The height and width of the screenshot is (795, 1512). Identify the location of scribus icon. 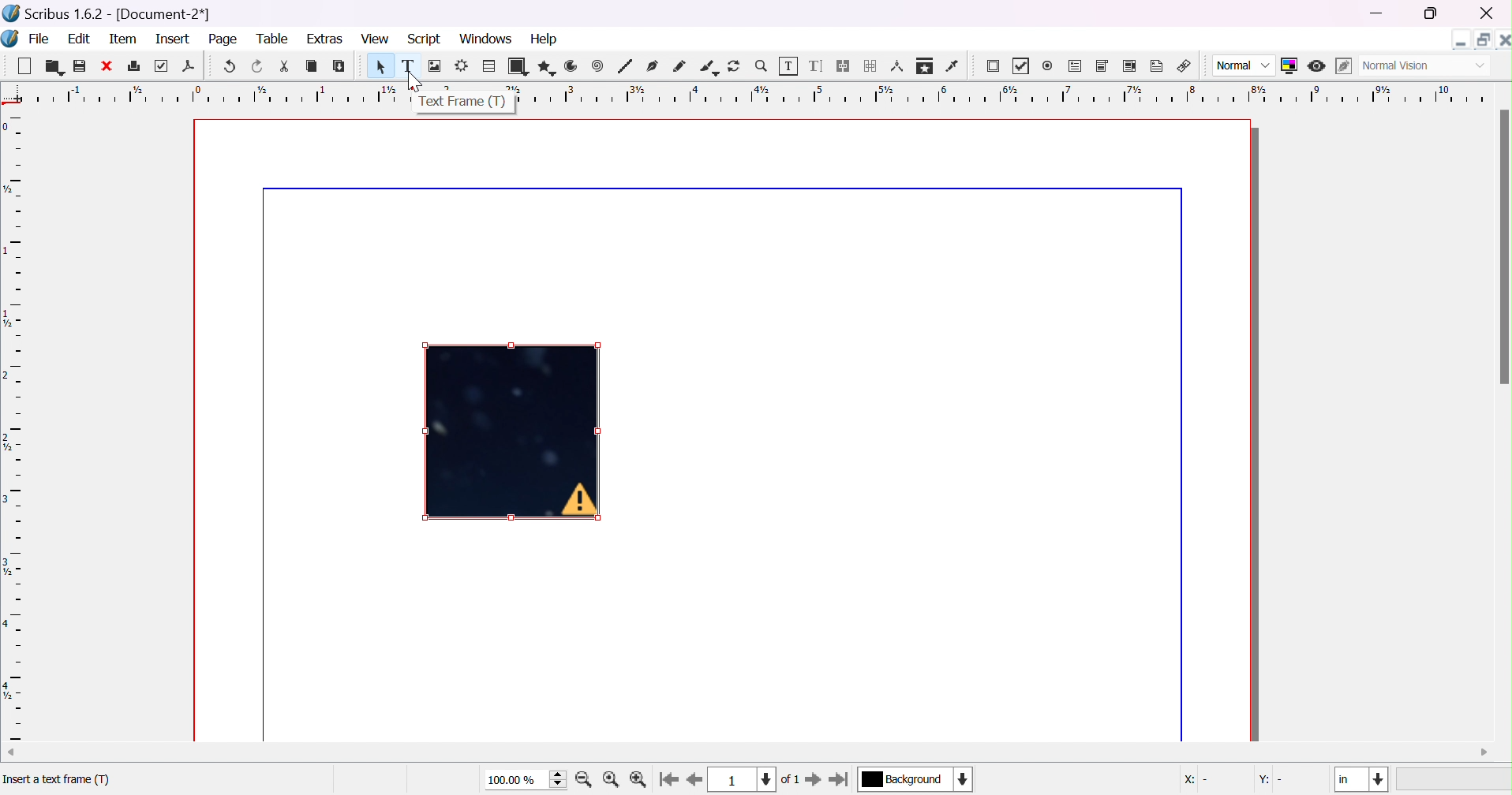
(10, 38).